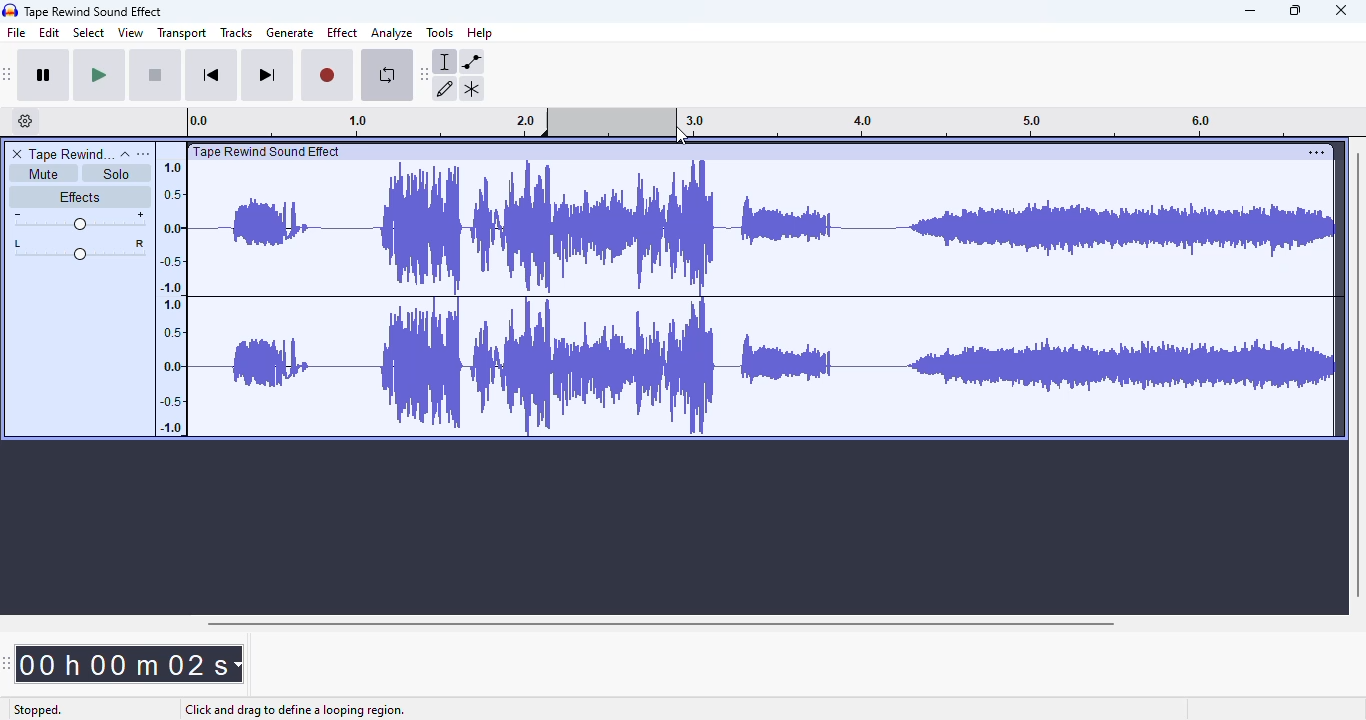 This screenshot has height=720, width=1366. Describe the element at coordinates (392, 33) in the screenshot. I see `analyze ` at that location.